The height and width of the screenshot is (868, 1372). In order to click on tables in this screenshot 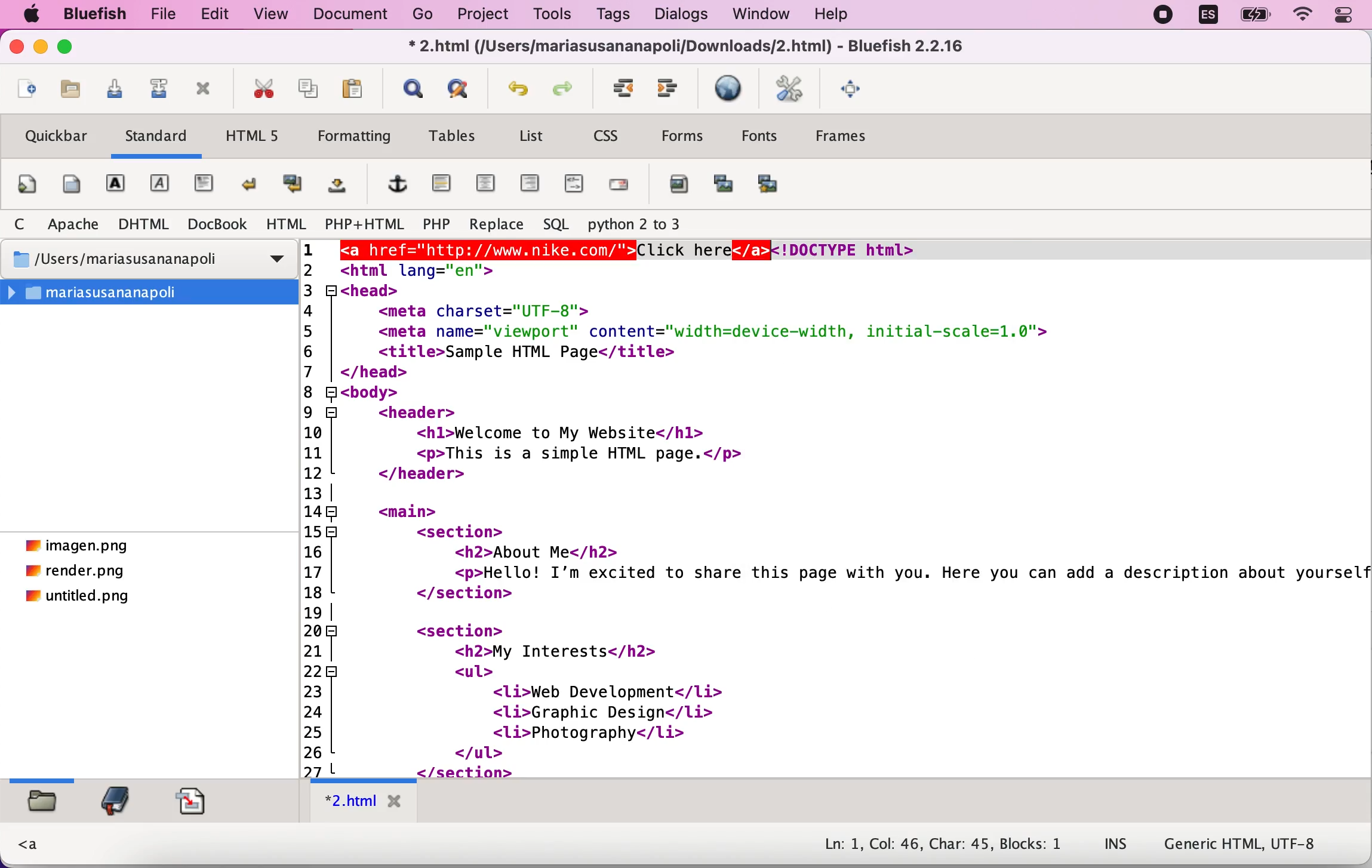, I will do `click(450, 138)`.